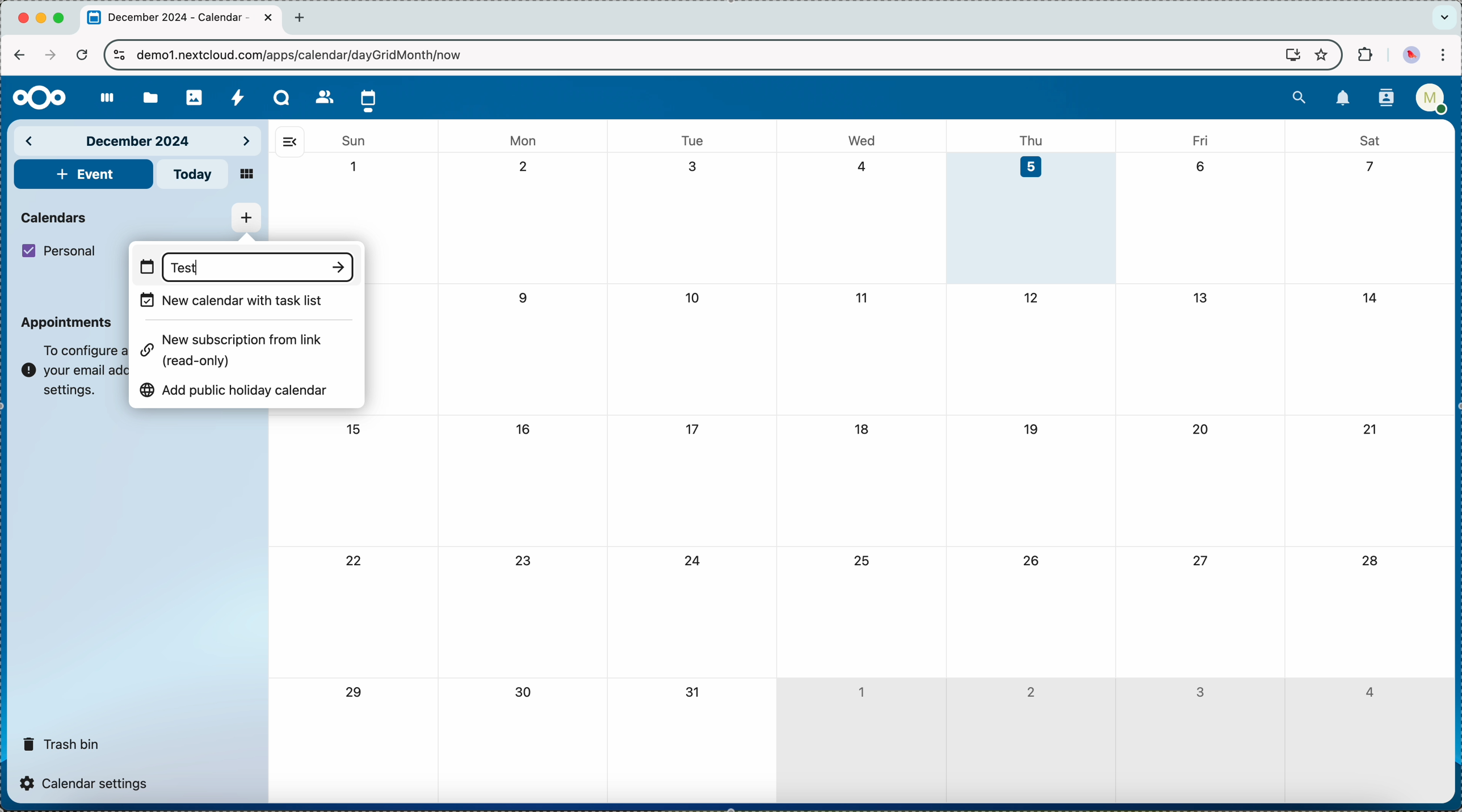 The height and width of the screenshot is (812, 1462). What do you see at coordinates (303, 18) in the screenshot?
I see `new tab` at bounding box center [303, 18].